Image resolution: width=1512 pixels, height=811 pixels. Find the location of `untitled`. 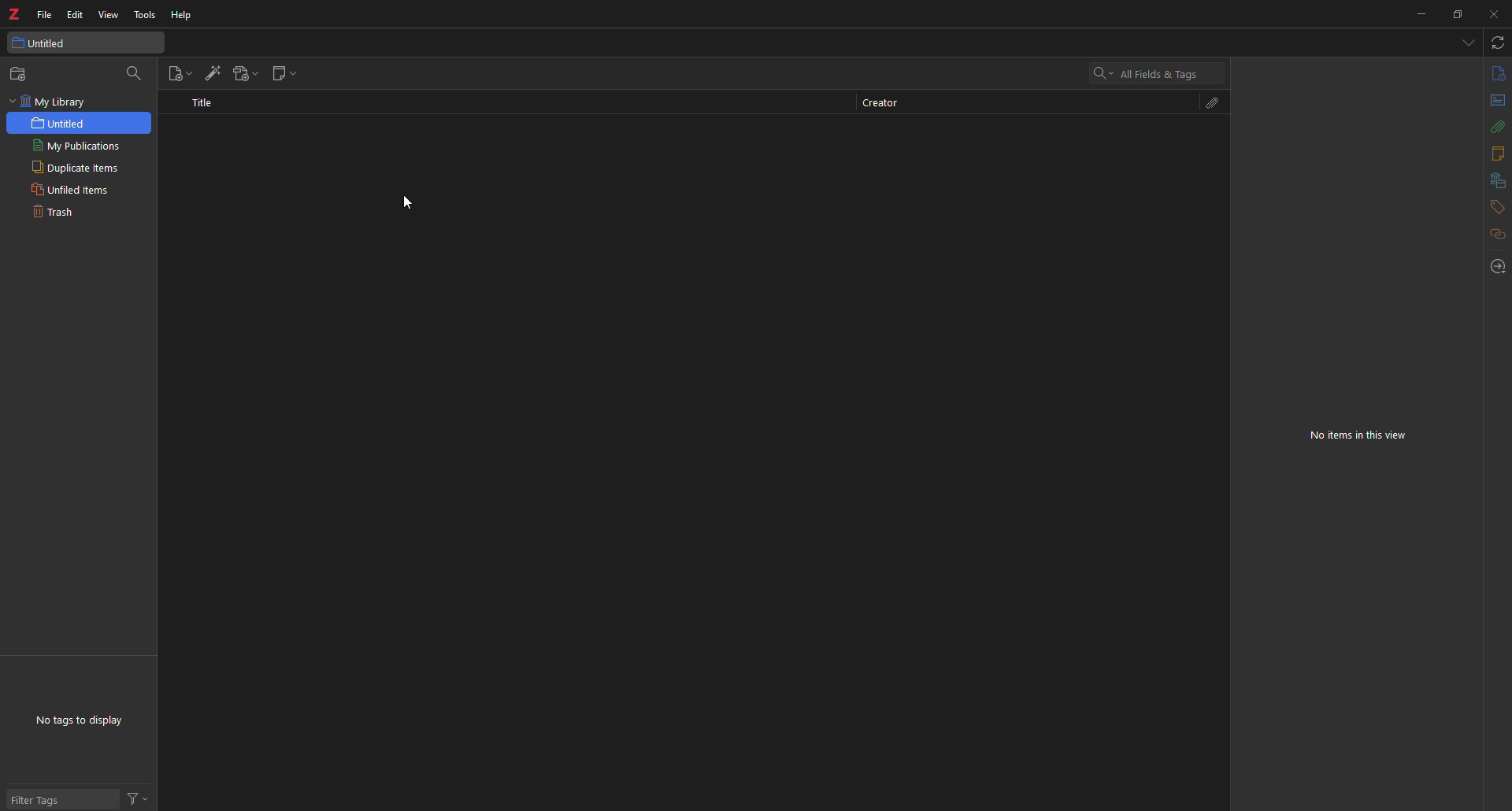

untitled is located at coordinates (61, 124).